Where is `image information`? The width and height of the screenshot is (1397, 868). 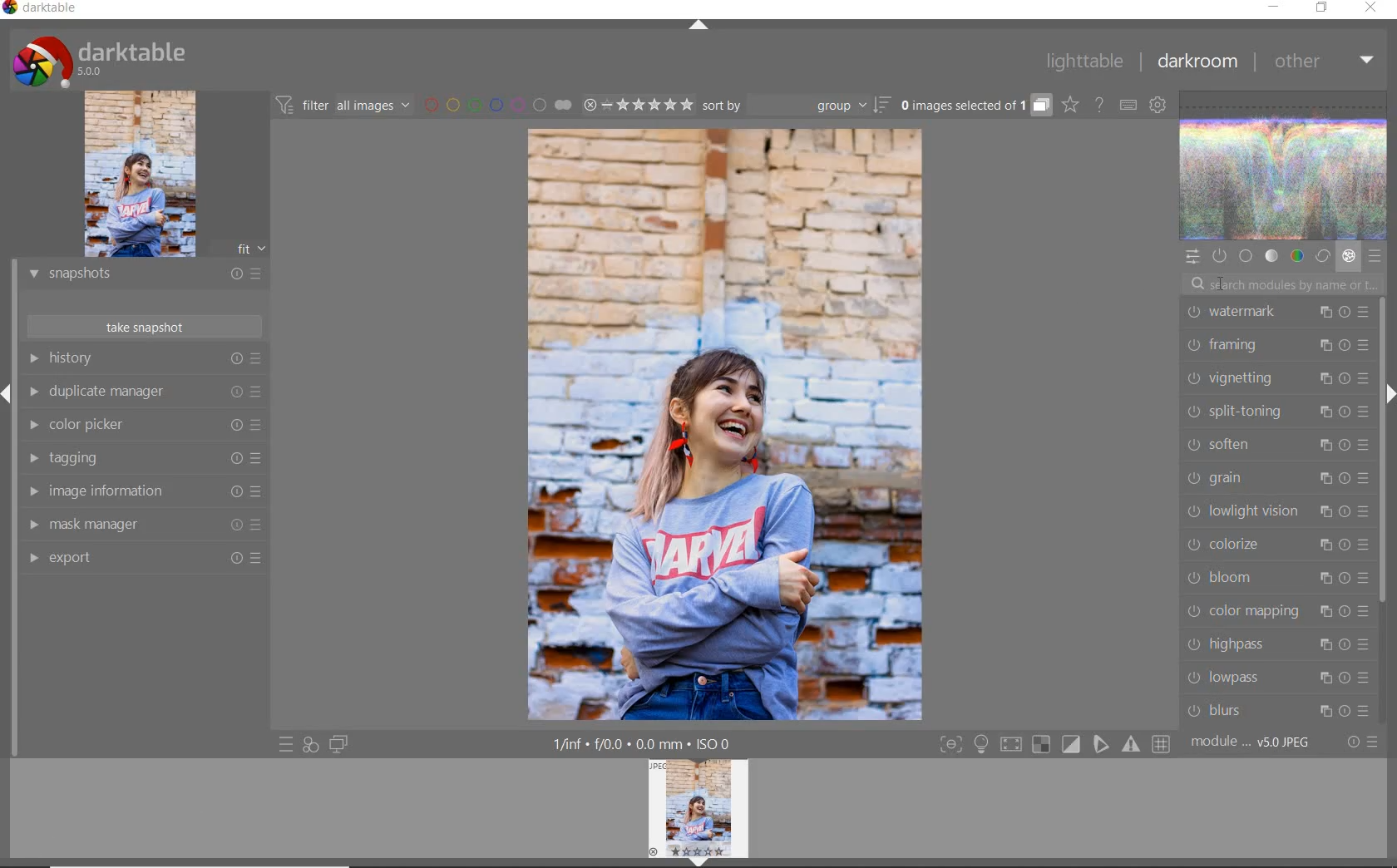
image information is located at coordinates (142, 494).